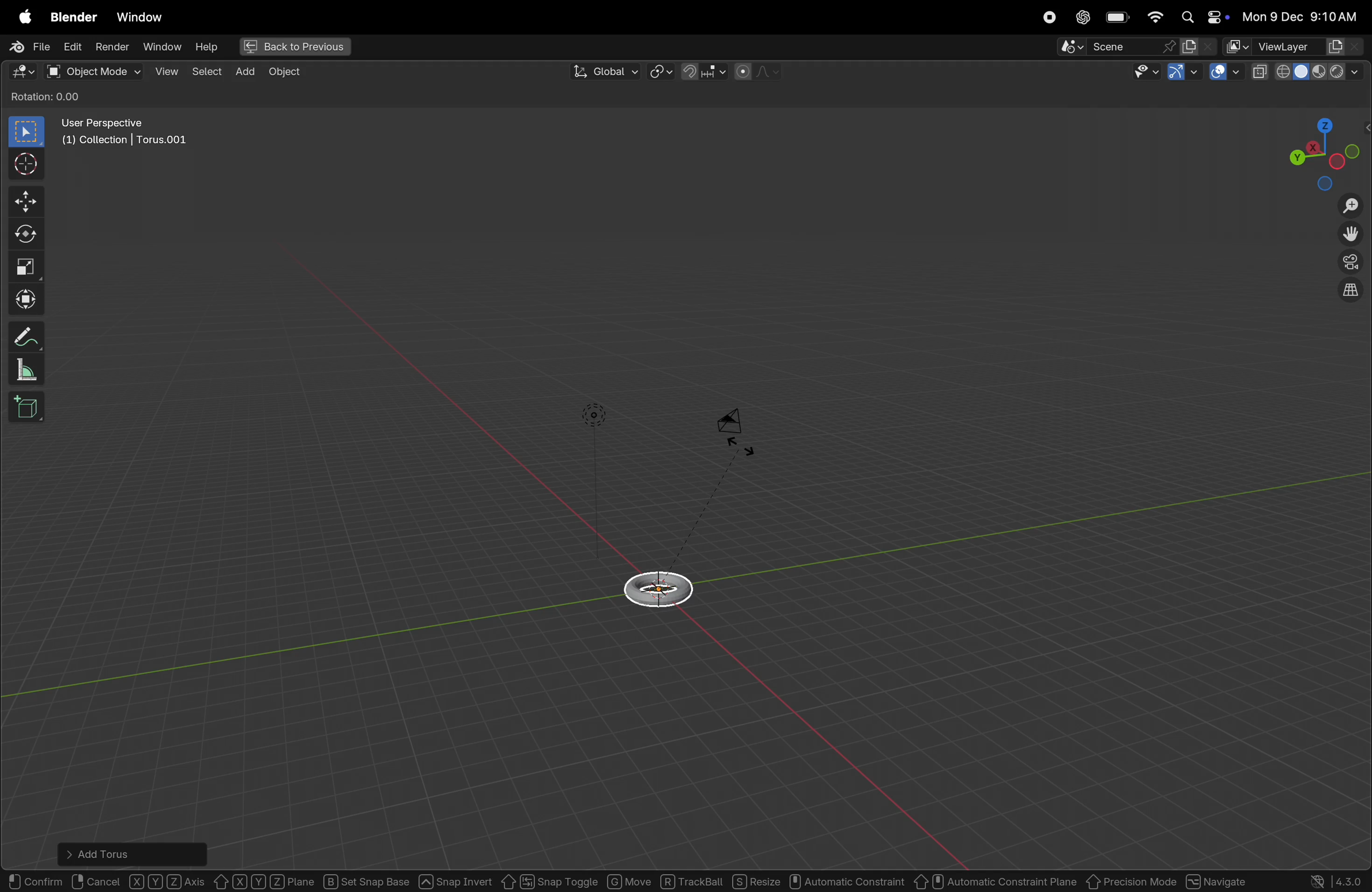 This screenshot has width=1372, height=892. Describe the element at coordinates (455, 879) in the screenshot. I see `snap invert` at that location.